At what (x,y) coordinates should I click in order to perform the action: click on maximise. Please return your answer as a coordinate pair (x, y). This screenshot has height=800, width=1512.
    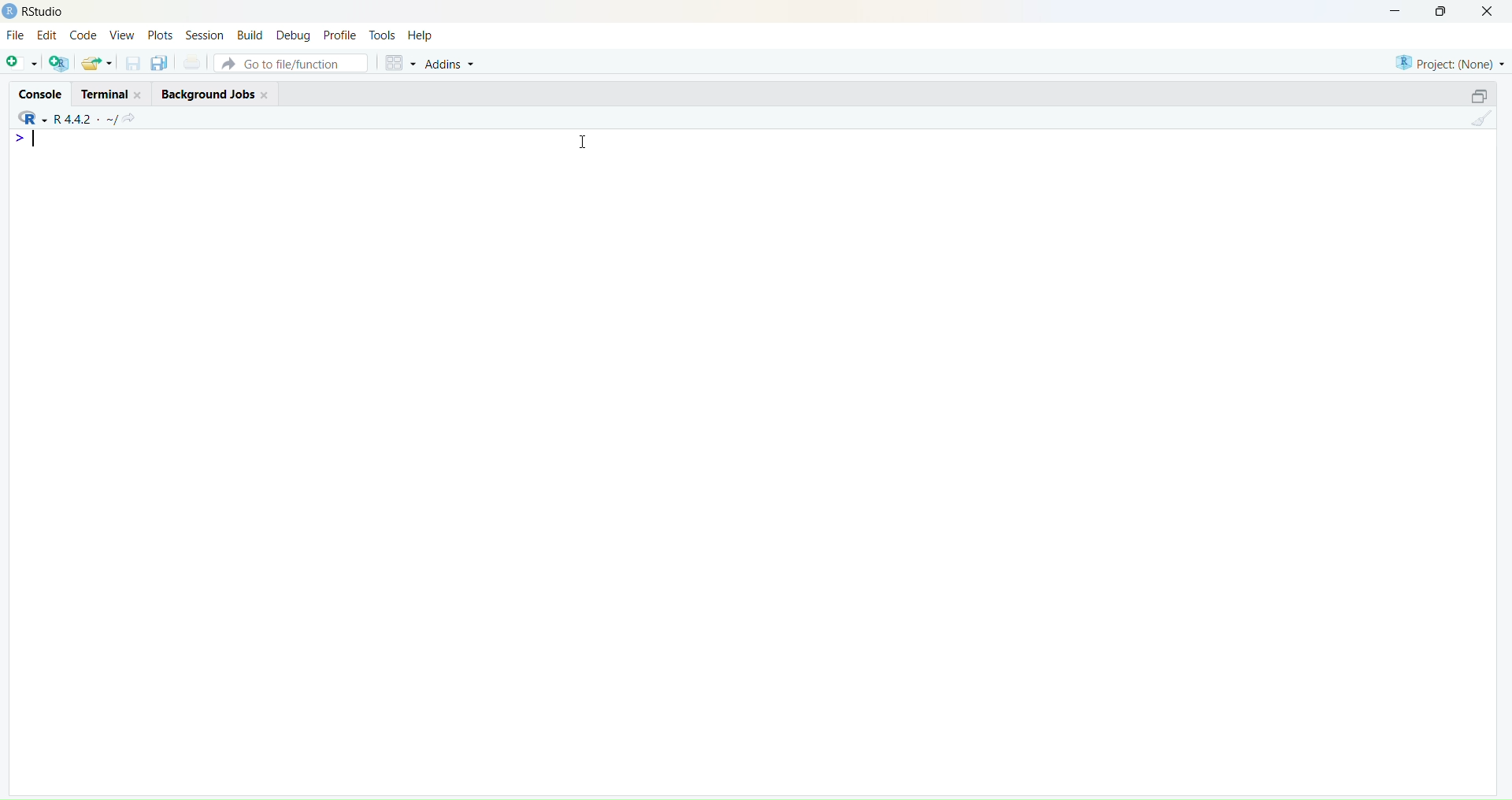
    Looking at the image, I should click on (1441, 11).